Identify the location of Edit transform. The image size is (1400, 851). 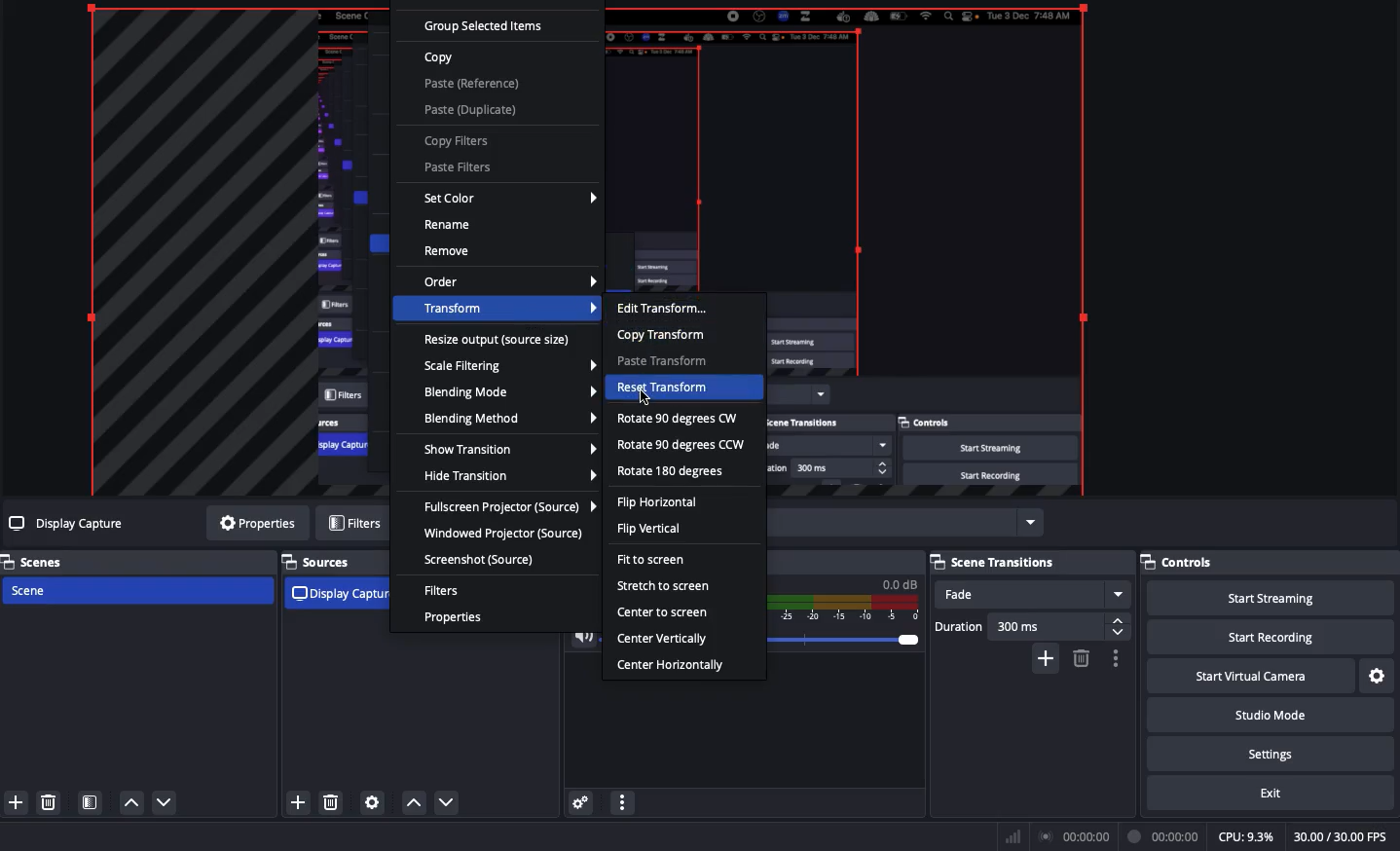
(667, 309).